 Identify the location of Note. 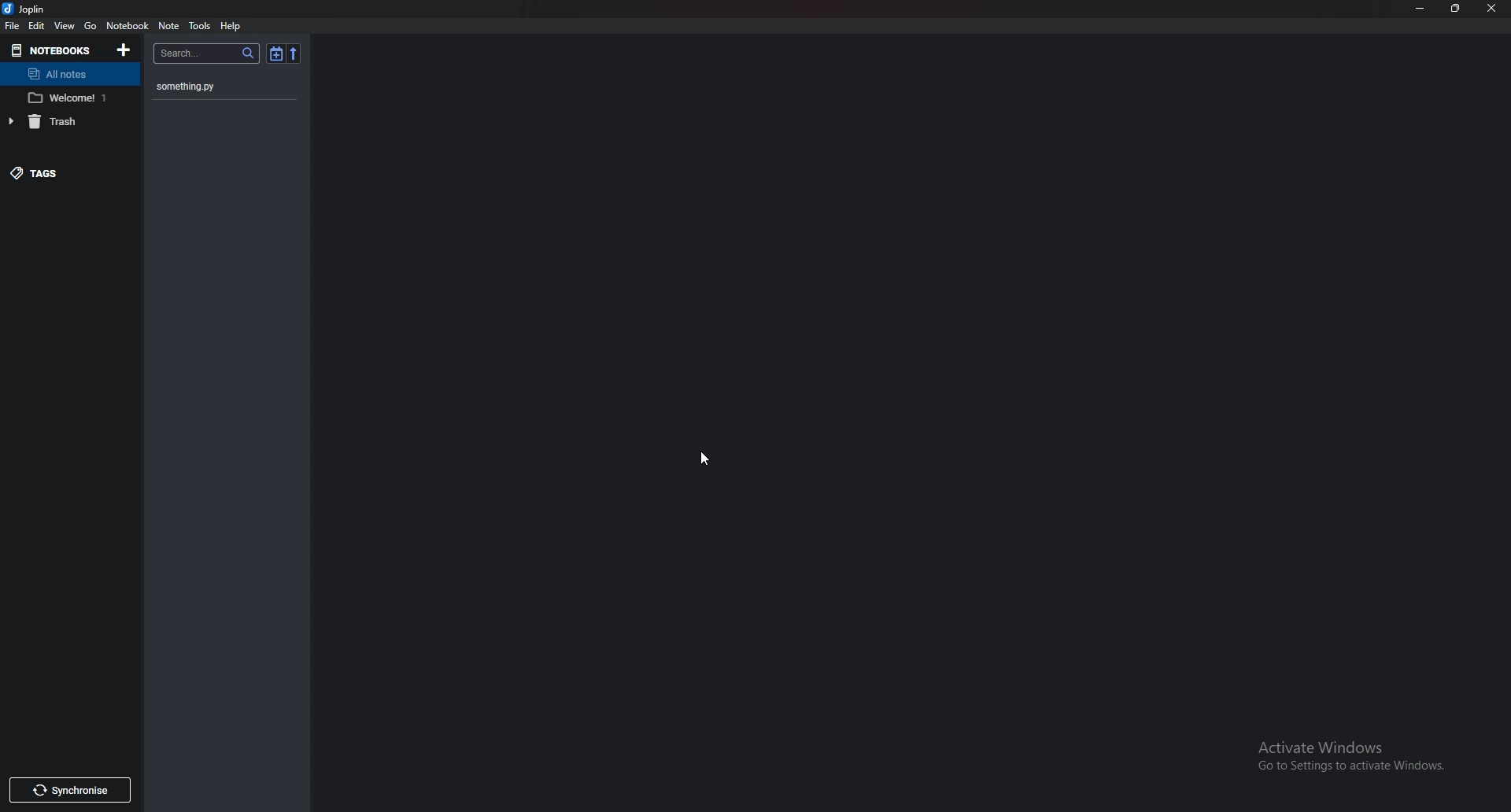
(170, 26).